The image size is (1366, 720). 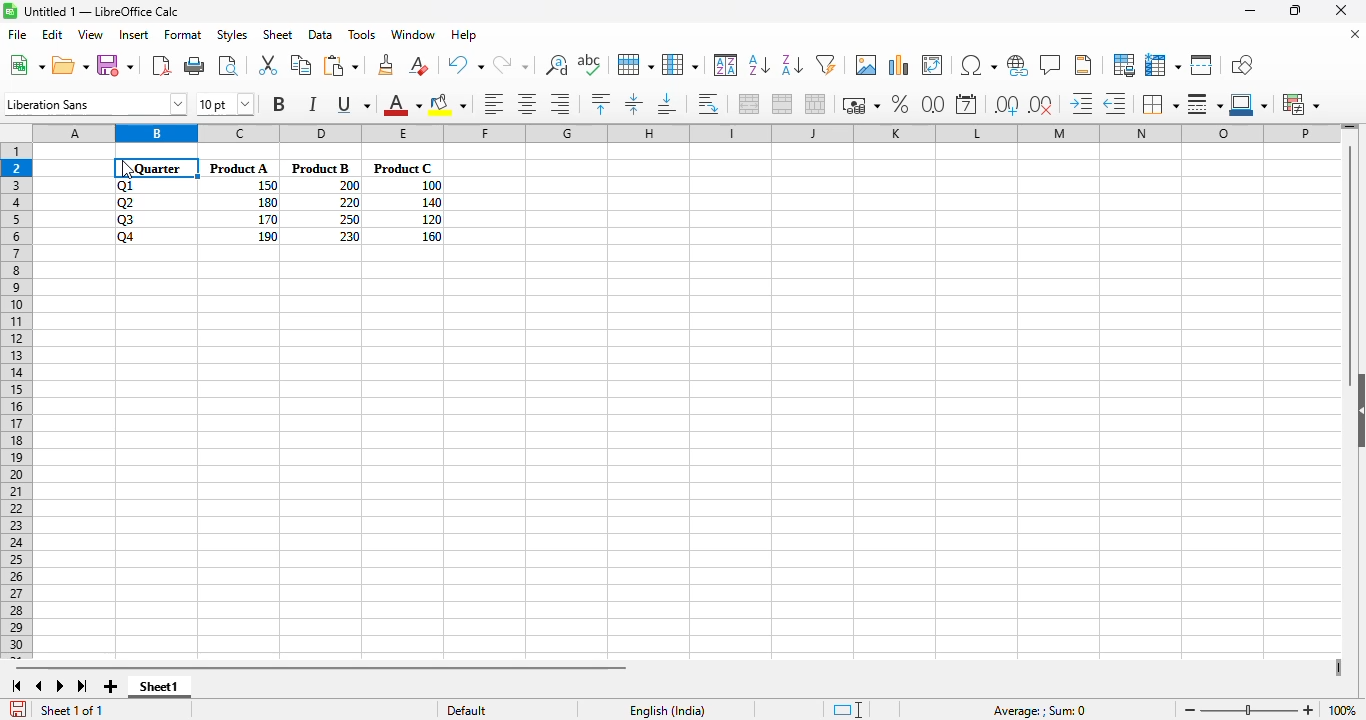 What do you see at coordinates (183, 35) in the screenshot?
I see `format` at bounding box center [183, 35].